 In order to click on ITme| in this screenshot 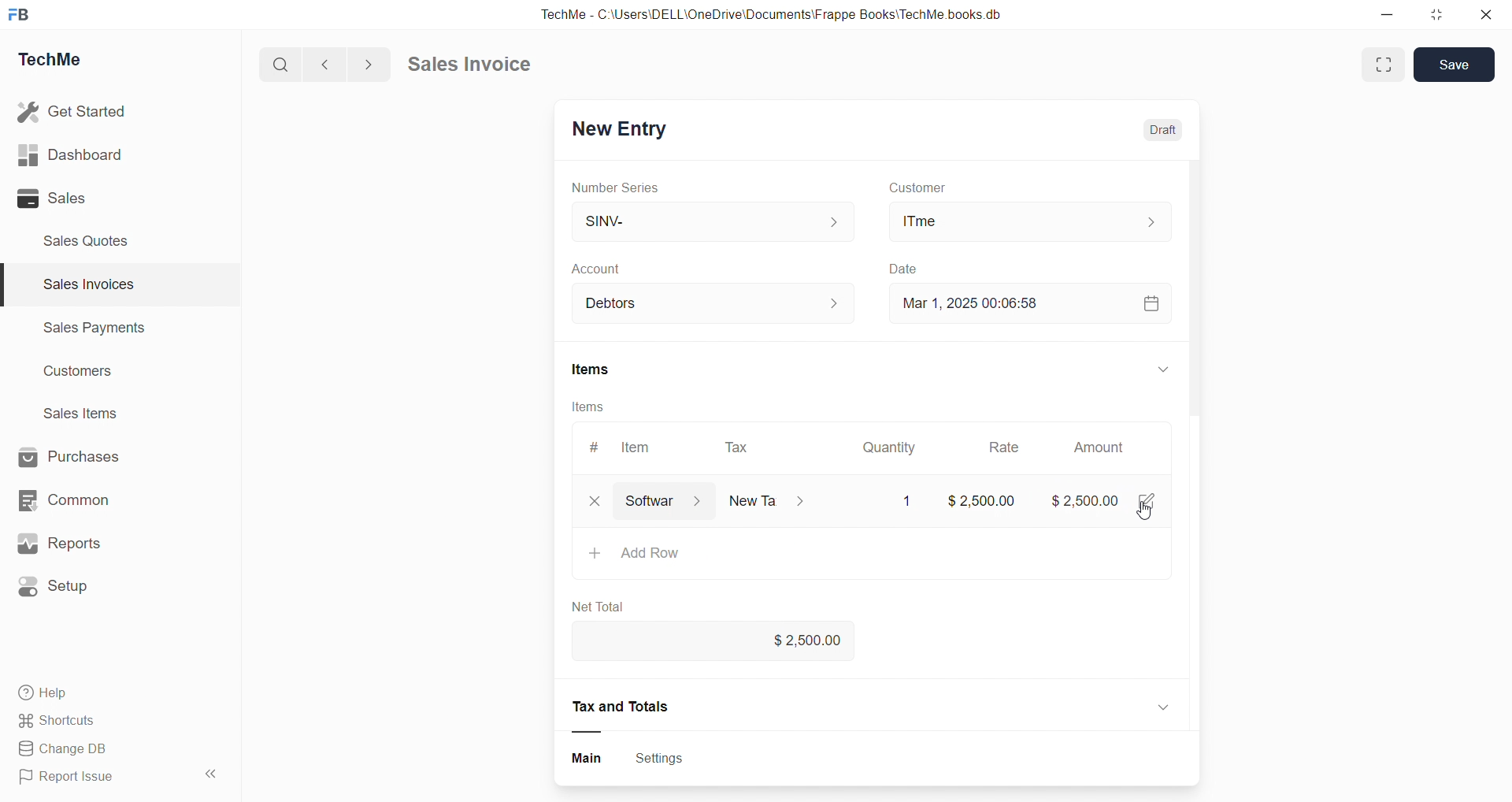, I will do `click(1028, 221)`.